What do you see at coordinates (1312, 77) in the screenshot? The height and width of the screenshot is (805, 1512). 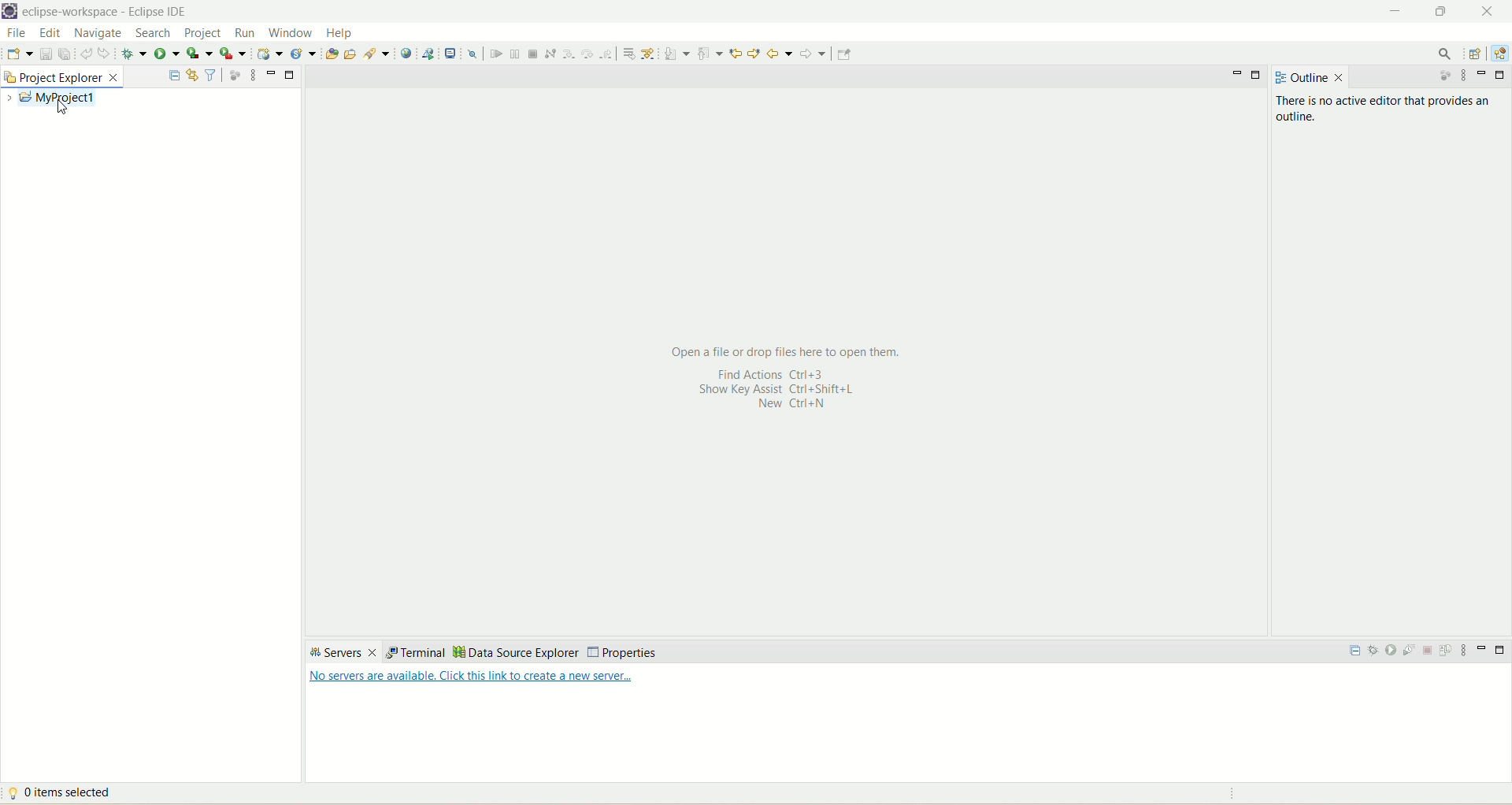 I see `outline` at bounding box center [1312, 77].